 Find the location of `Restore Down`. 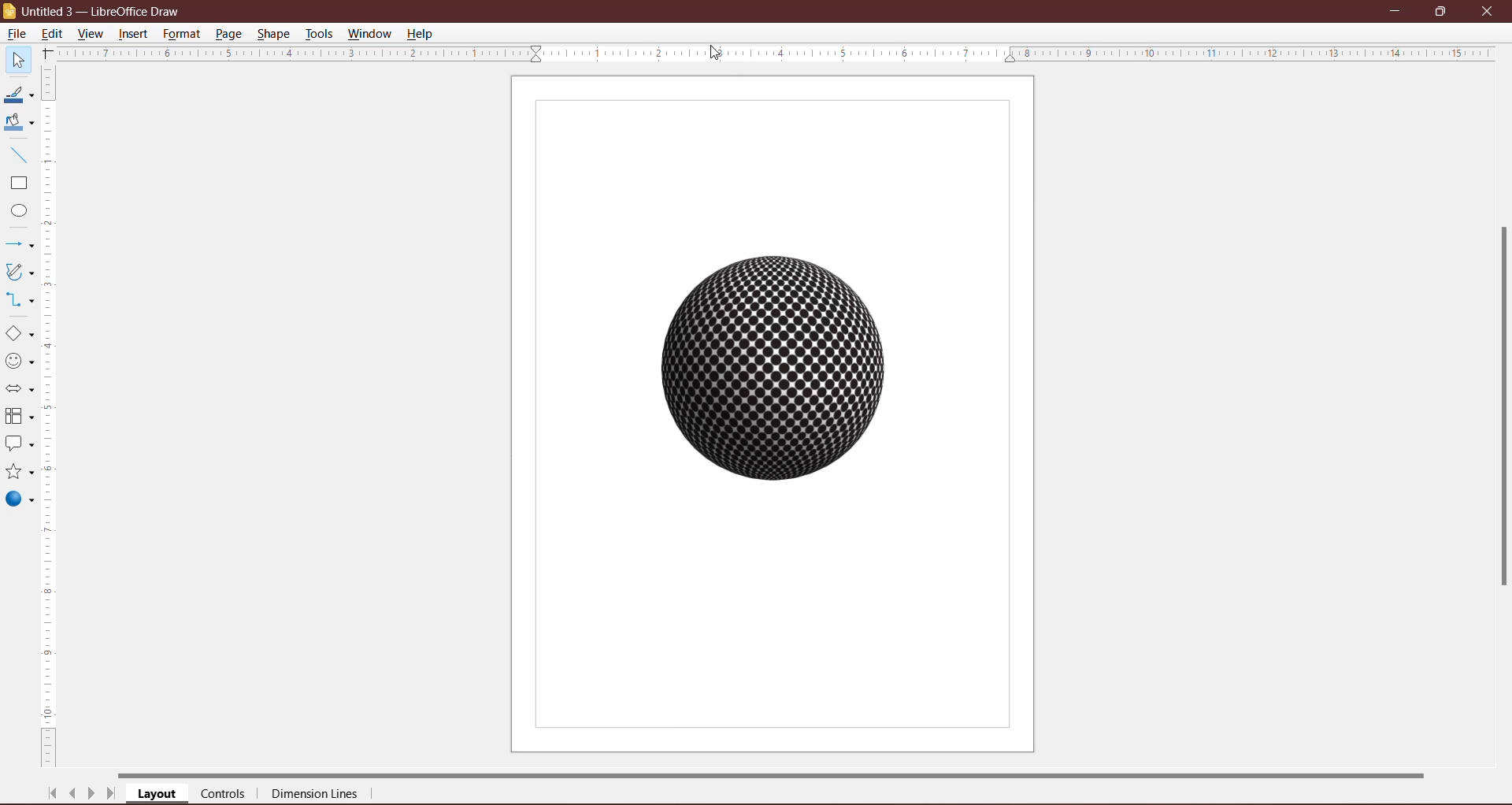

Restore Down is located at coordinates (1440, 10).